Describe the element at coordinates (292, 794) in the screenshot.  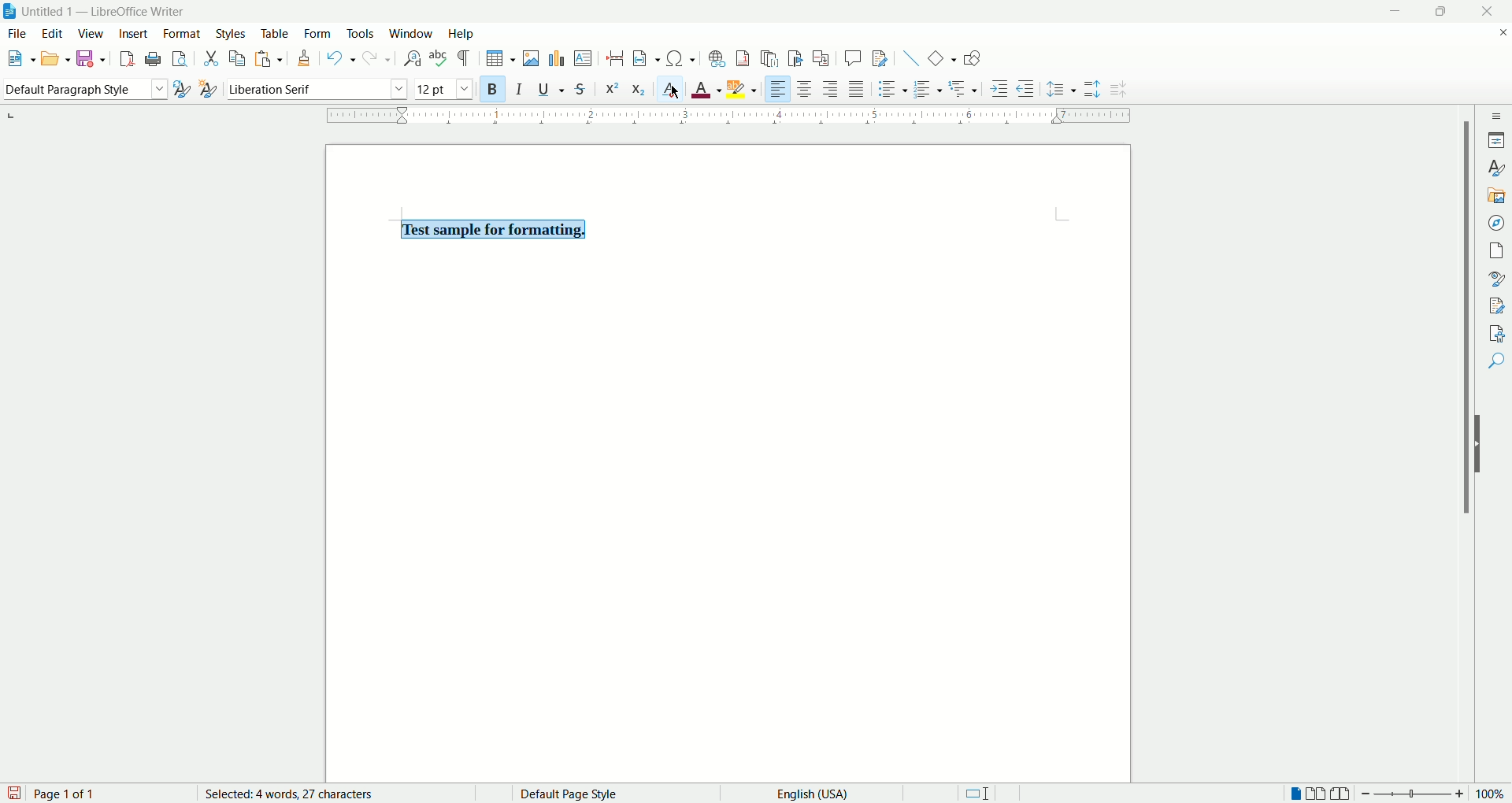
I see `words and characters` at that location.